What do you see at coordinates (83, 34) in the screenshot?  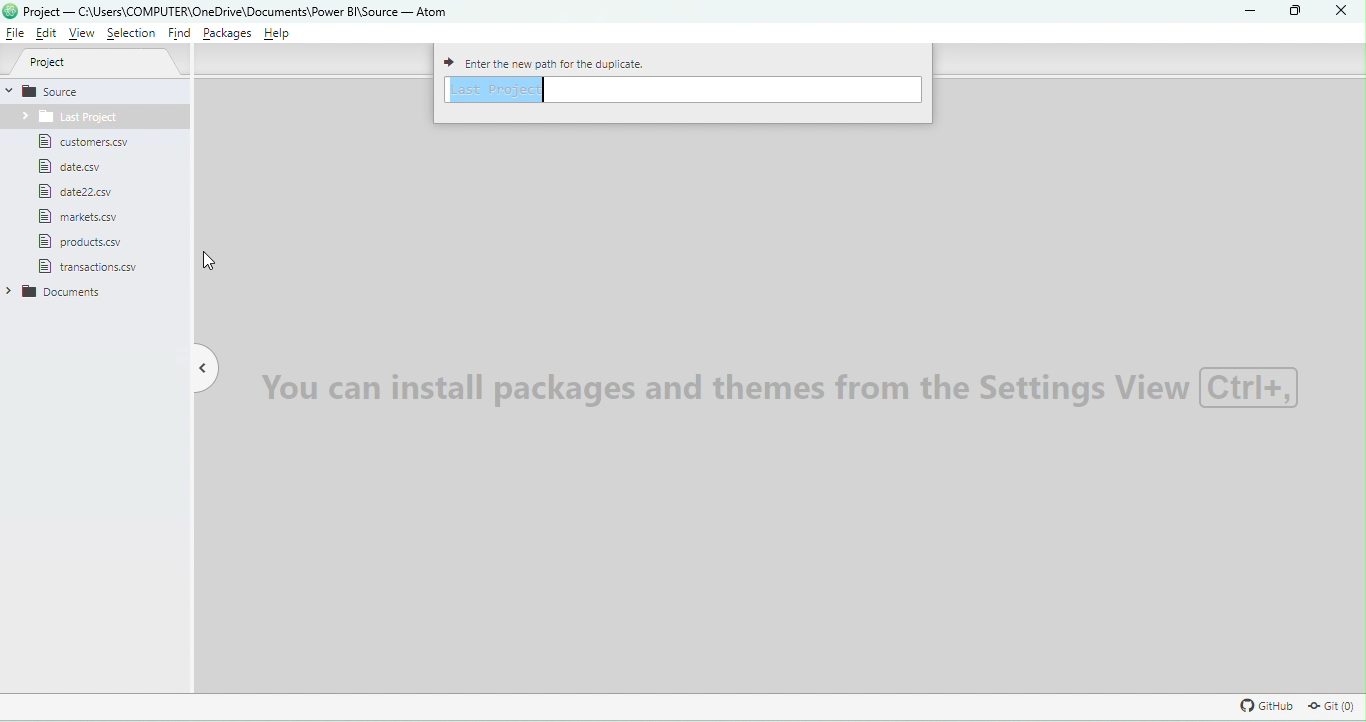 I see `View` at bounding box center [83, 34].